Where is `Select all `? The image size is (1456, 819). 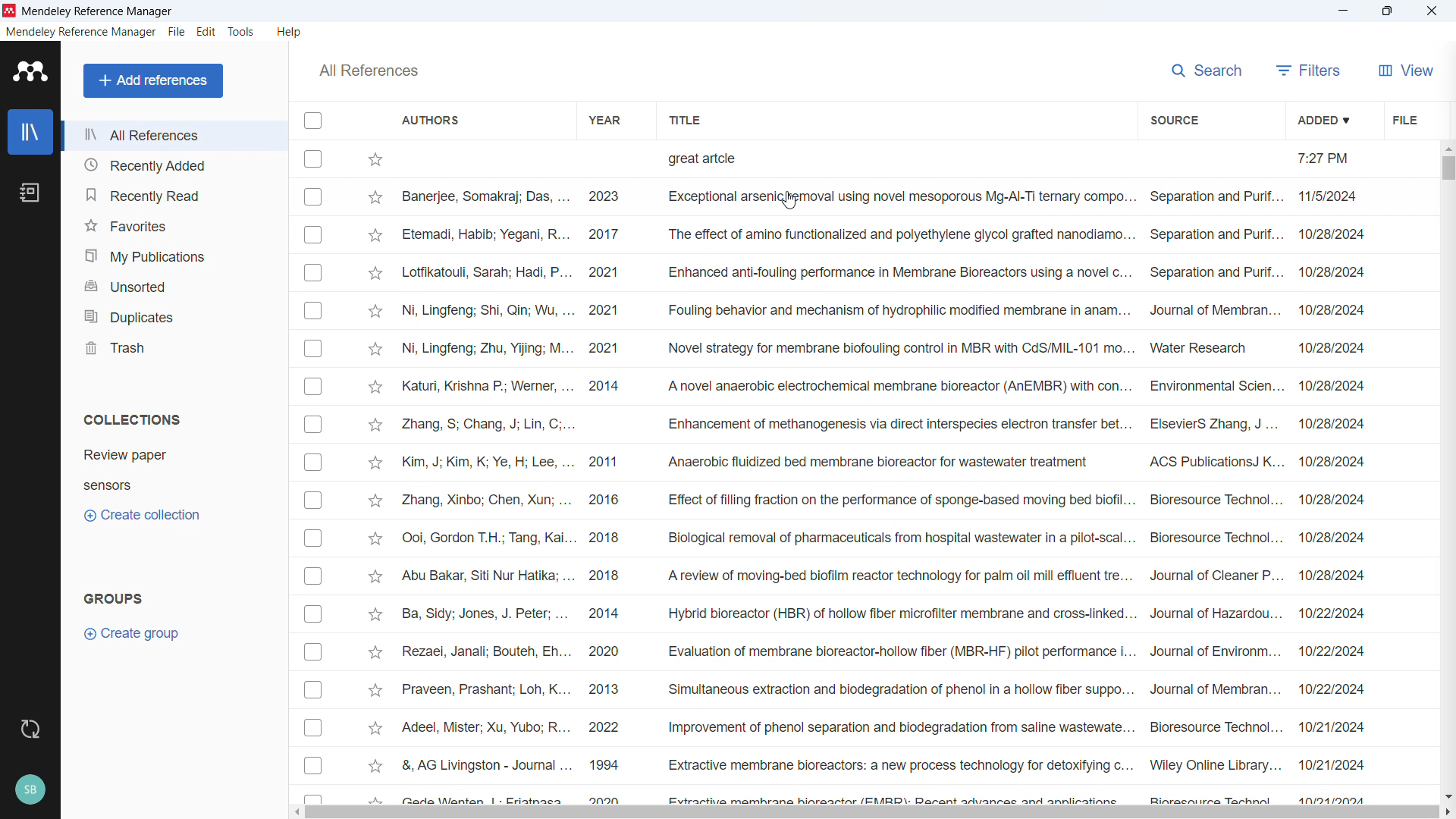
Select all  is located at coordinates (312, 121).